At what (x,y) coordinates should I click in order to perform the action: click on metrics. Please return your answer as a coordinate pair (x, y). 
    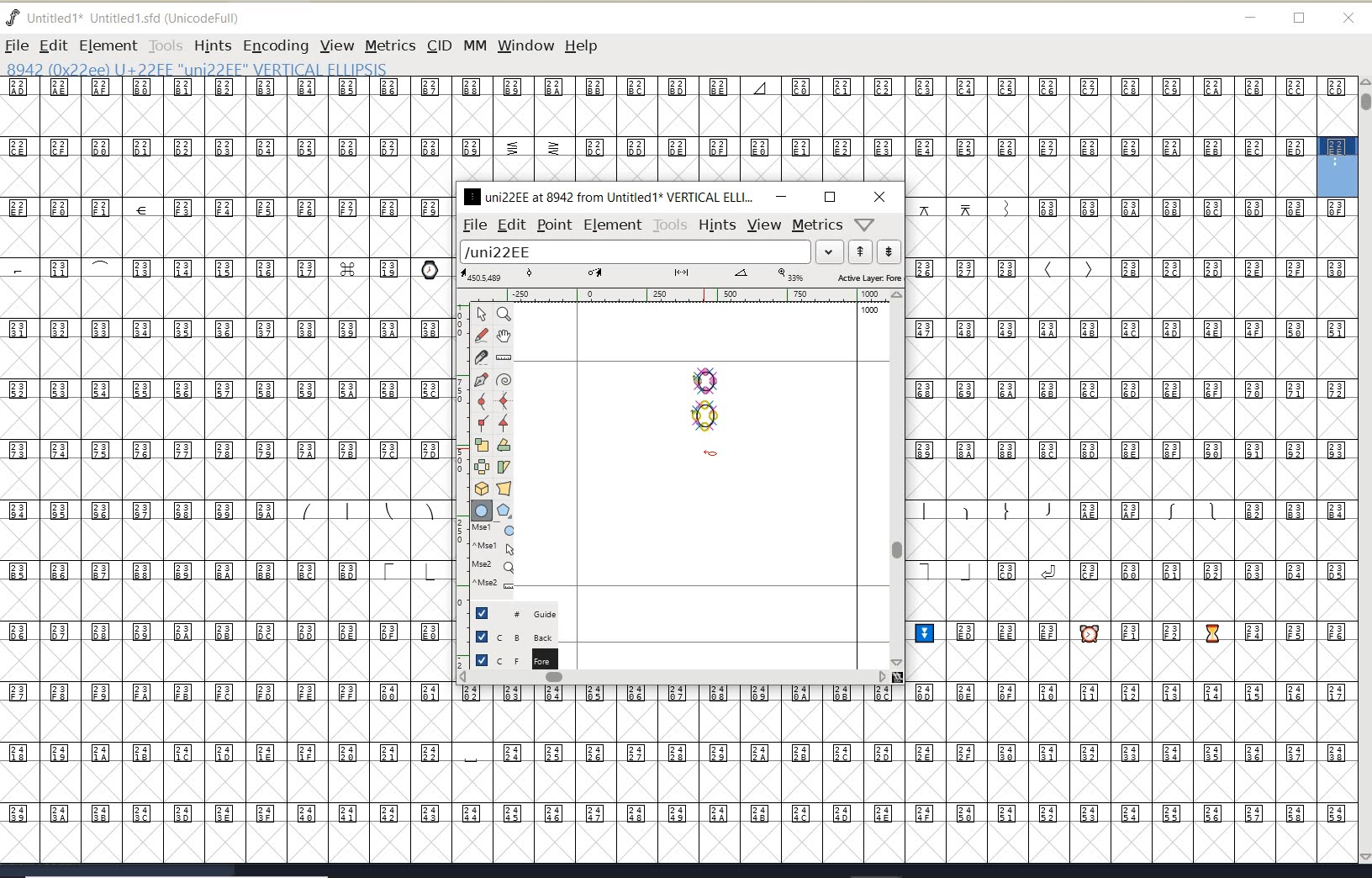
    Looking at the image, I should click on (817, 225).